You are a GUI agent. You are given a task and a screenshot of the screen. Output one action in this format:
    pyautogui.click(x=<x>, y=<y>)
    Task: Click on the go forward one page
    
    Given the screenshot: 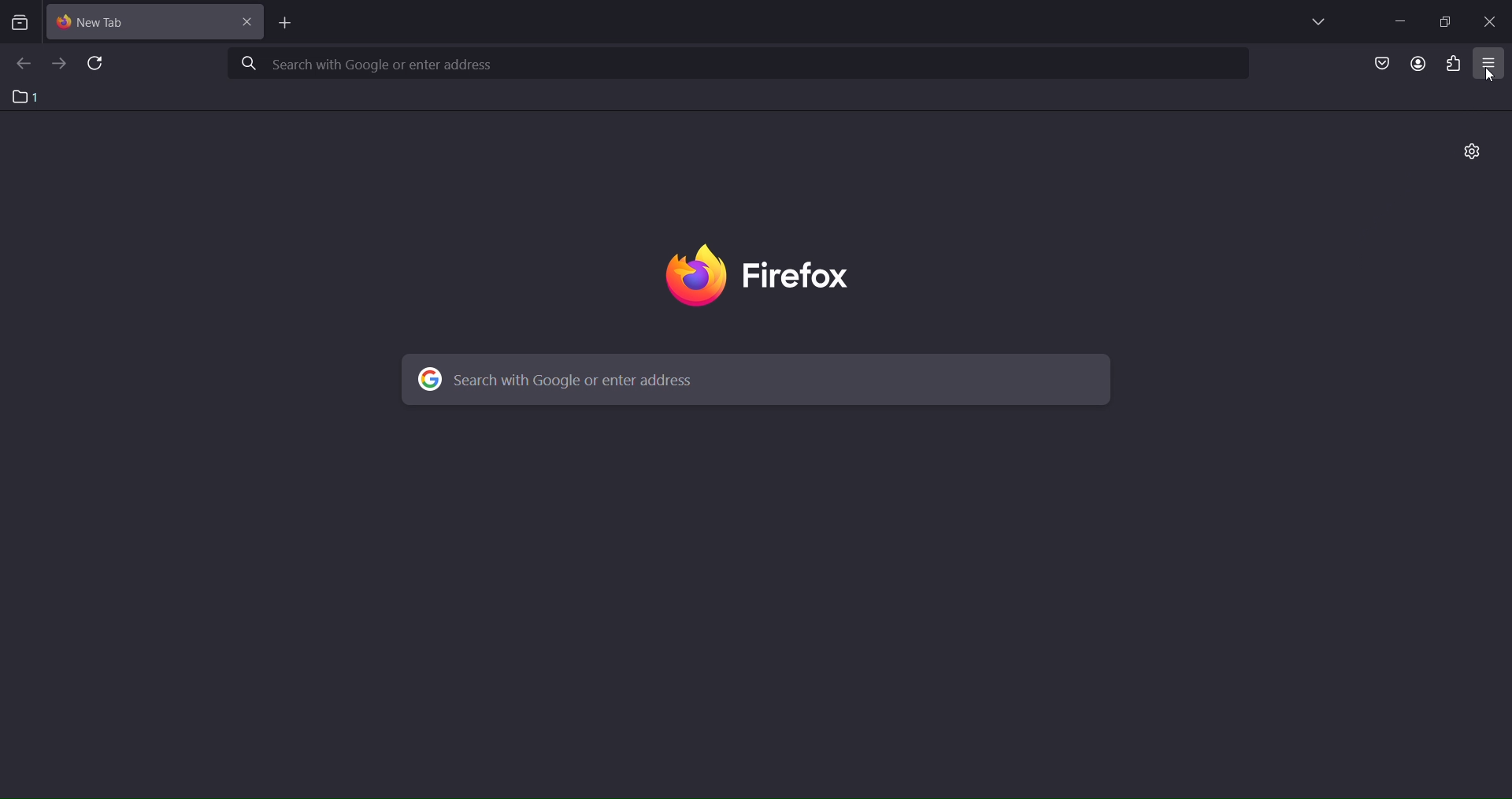 What is the action you would take?
    pyautogui.click(x=58, y=63)
    